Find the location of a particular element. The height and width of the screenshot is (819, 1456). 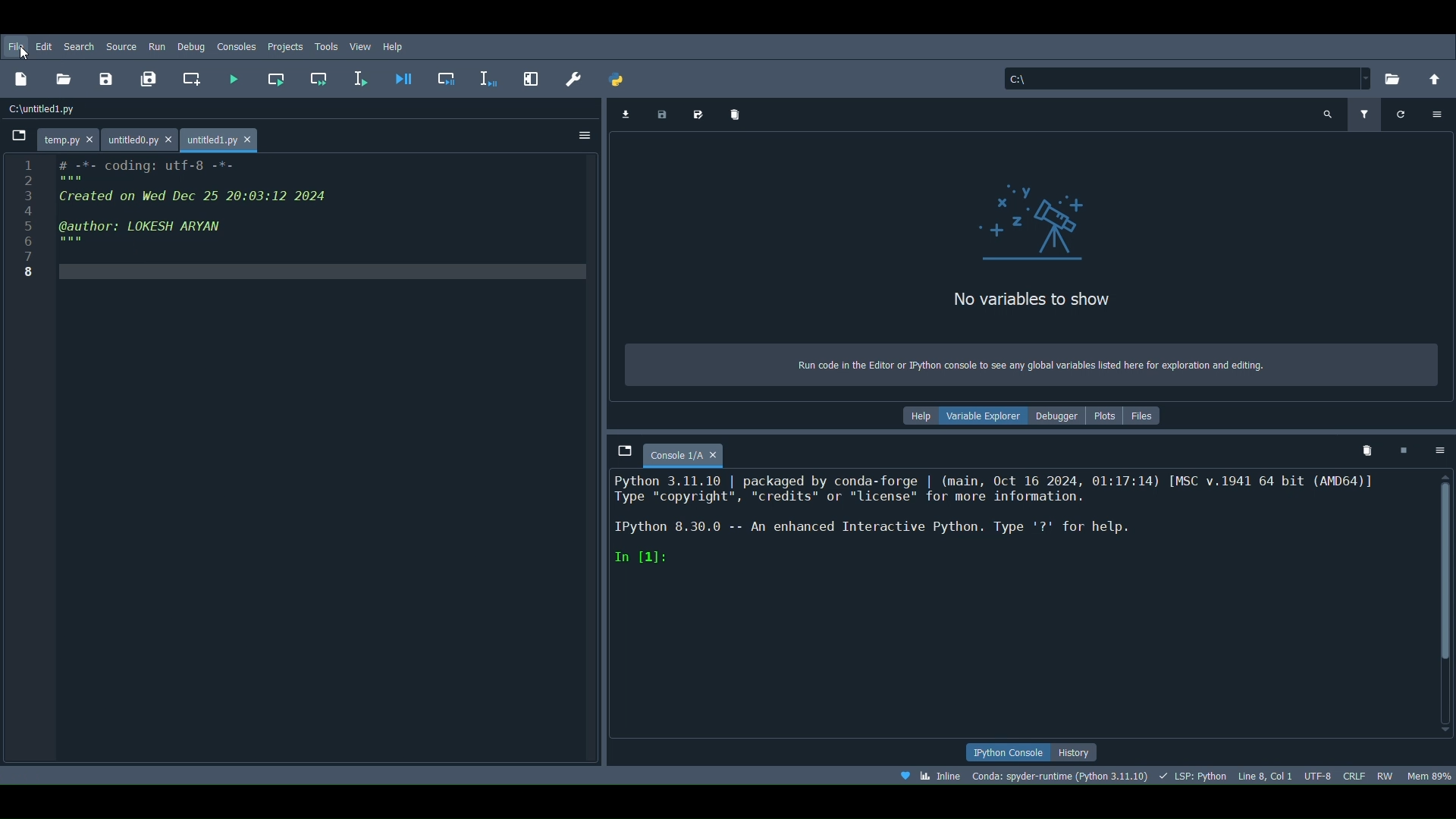

Search is located at coordinates (77, 46).